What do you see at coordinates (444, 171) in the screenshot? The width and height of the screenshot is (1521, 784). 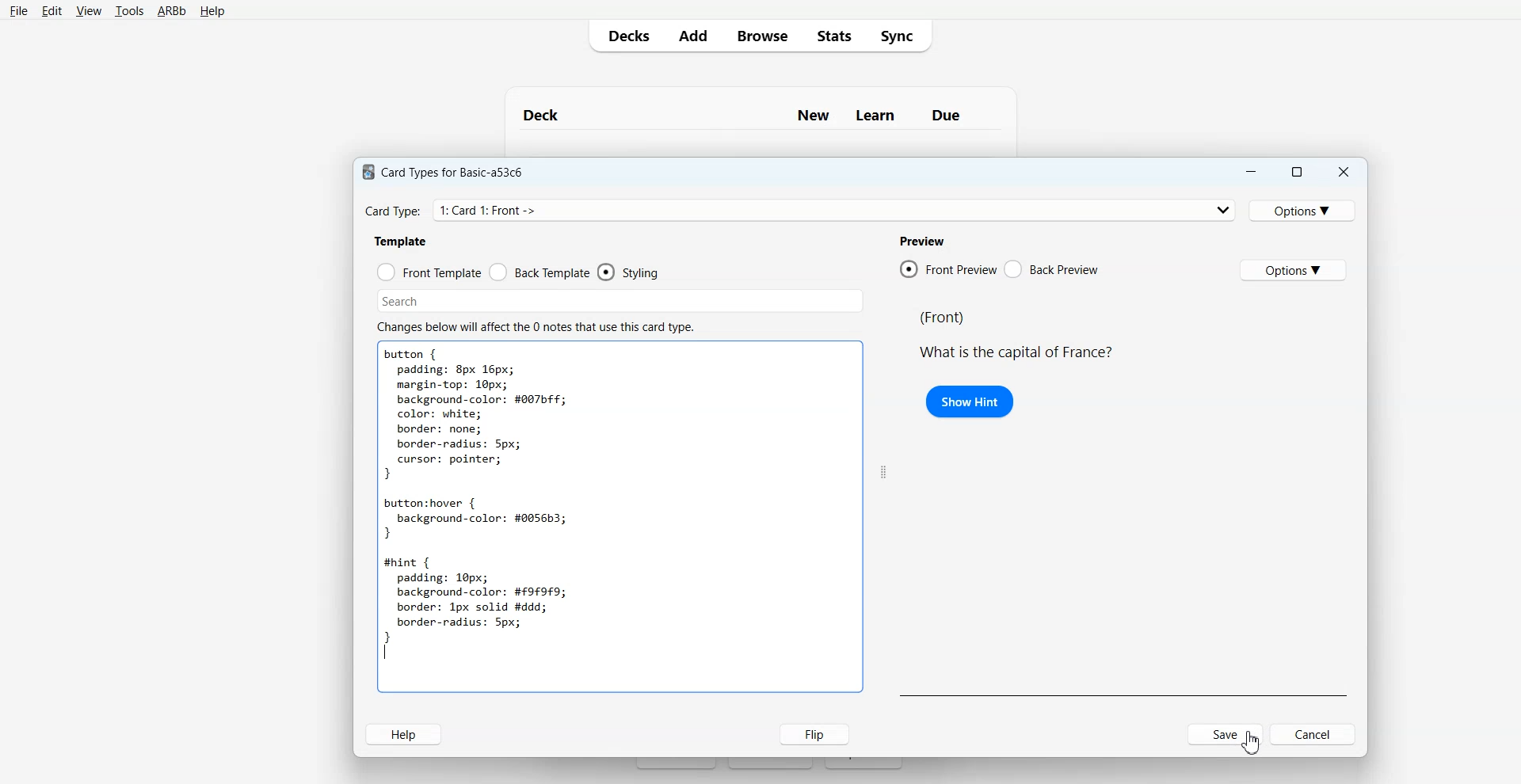 I see `Card Types for Basic-a53c6` at bounding box center [444, 171].